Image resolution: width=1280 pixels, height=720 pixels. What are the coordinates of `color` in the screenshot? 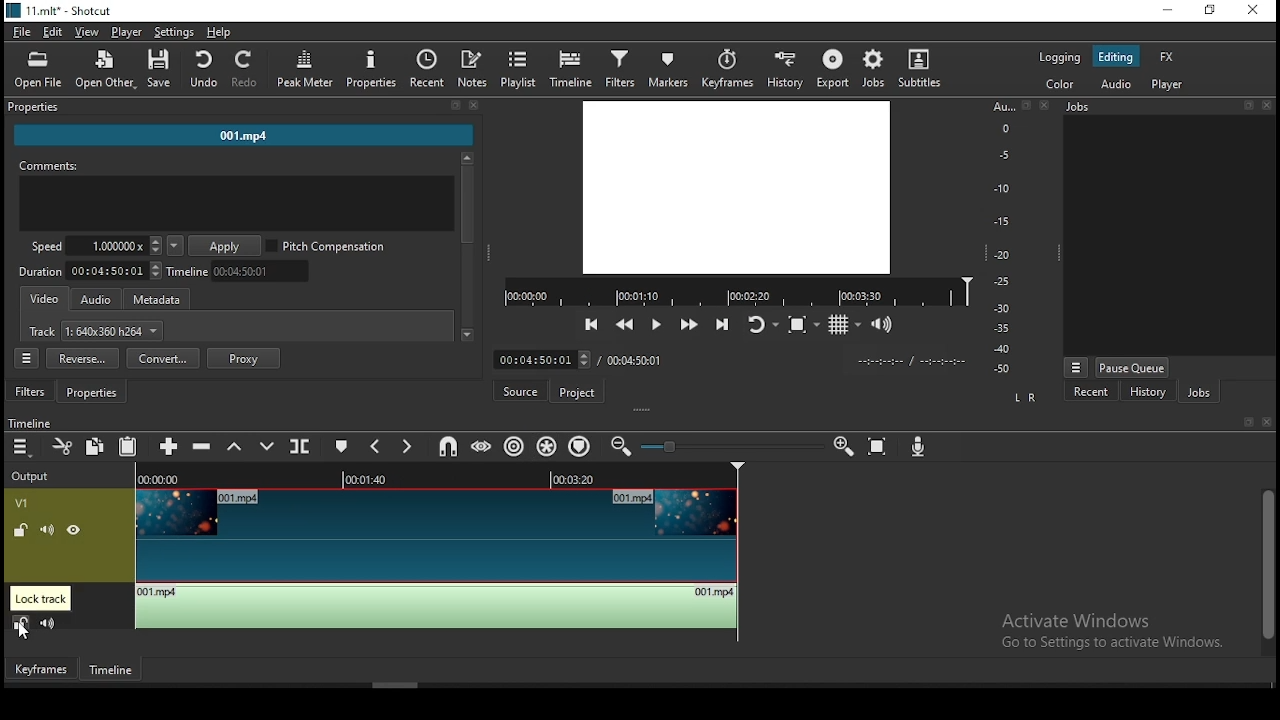 It's located at (1059, 83).